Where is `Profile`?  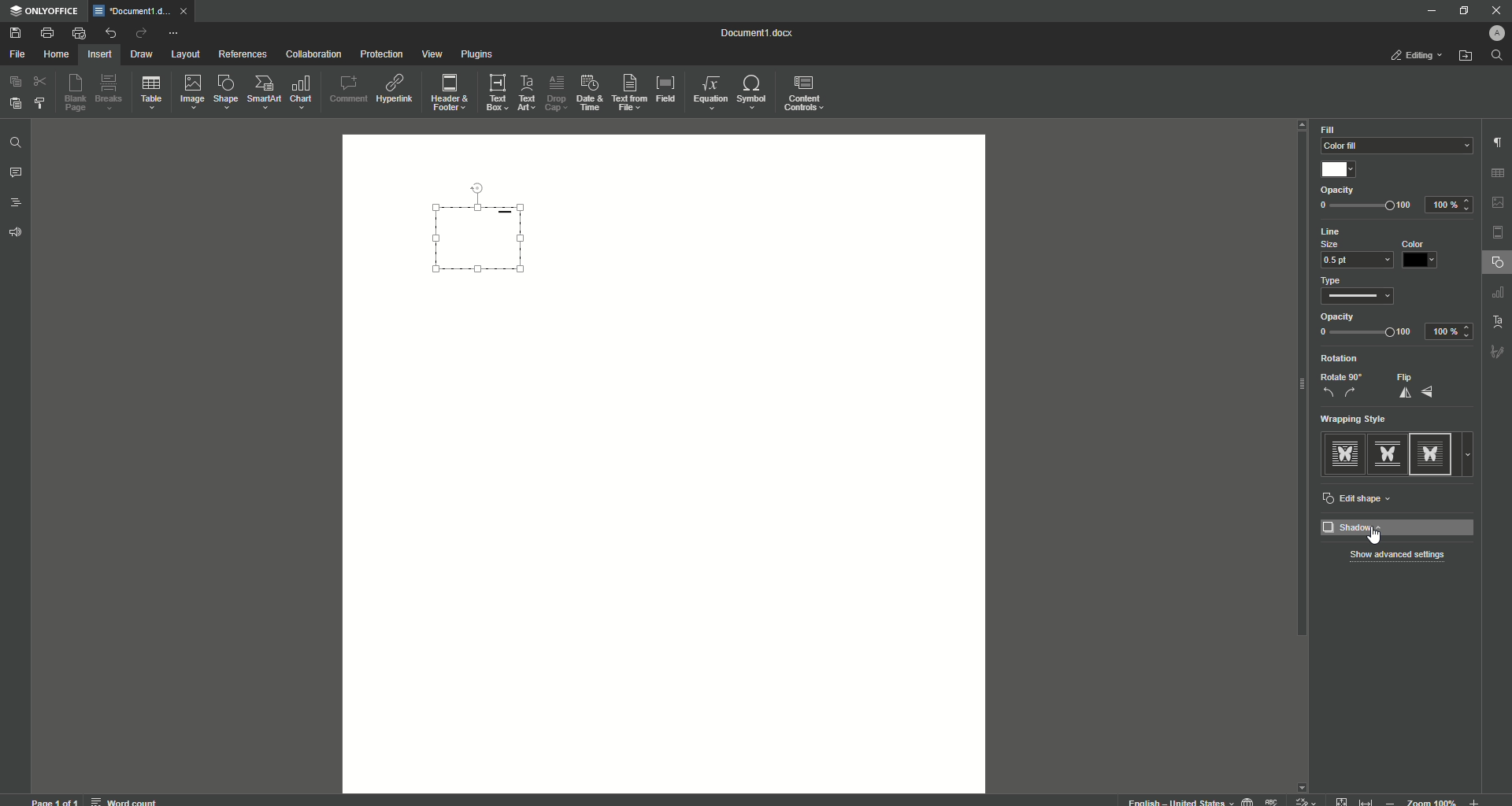 Profile is located at coordinates (1494, 33).